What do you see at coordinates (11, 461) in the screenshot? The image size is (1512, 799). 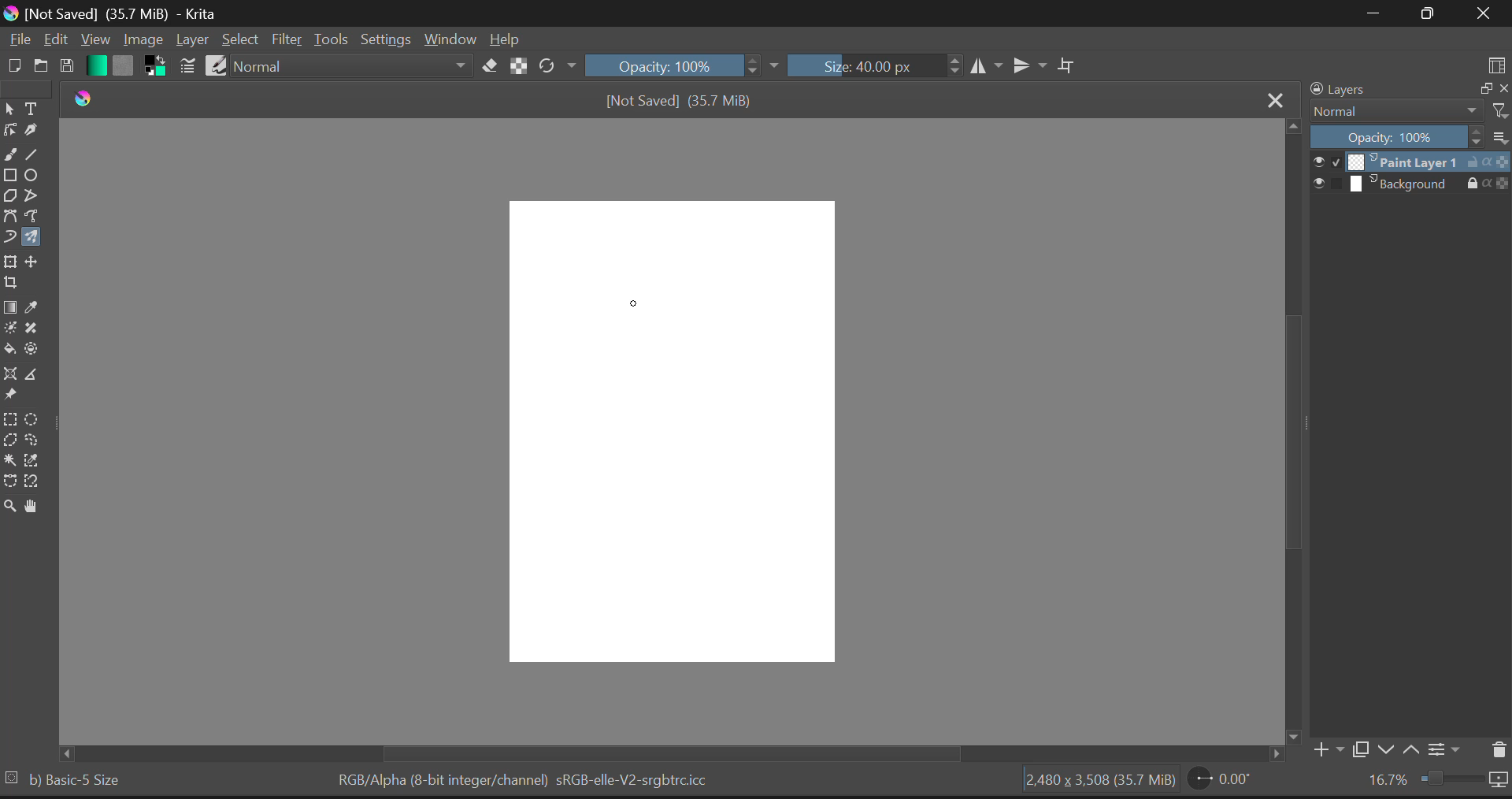 I see `Continuous Selection` at bounding box center [11, 461].